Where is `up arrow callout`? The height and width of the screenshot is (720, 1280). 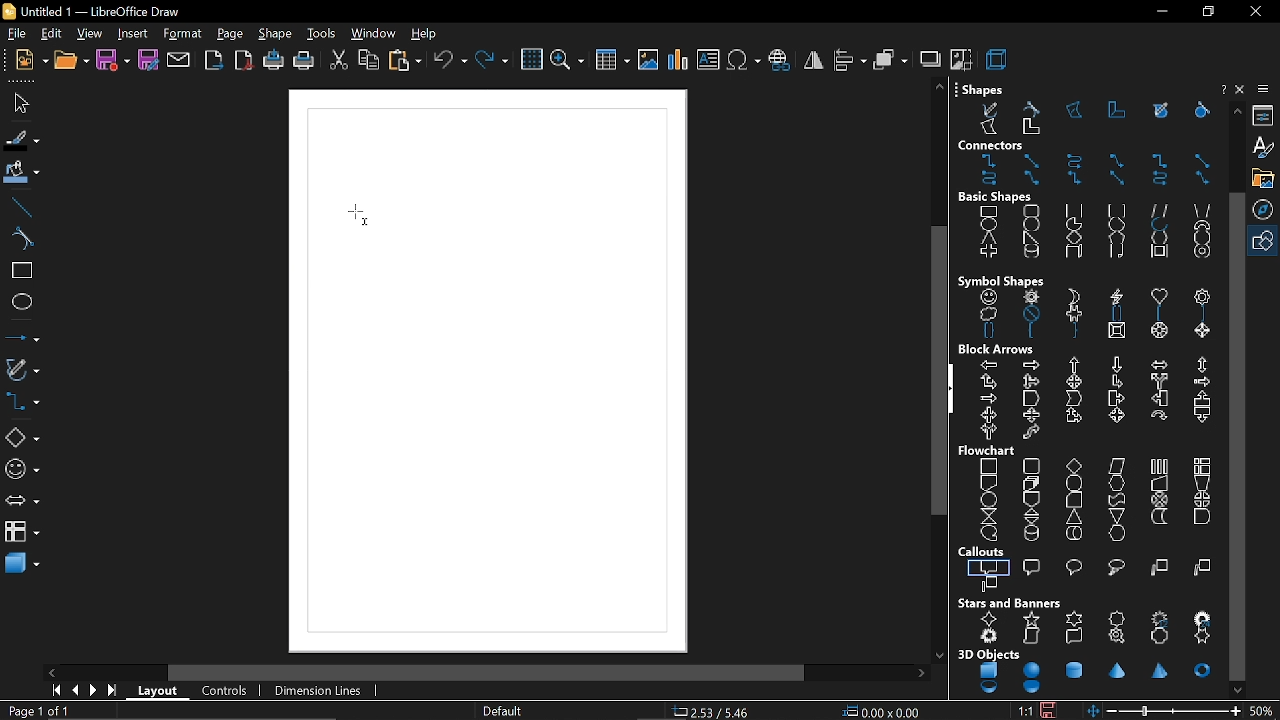
up arrow callout is located at coordinates (1199, 399).